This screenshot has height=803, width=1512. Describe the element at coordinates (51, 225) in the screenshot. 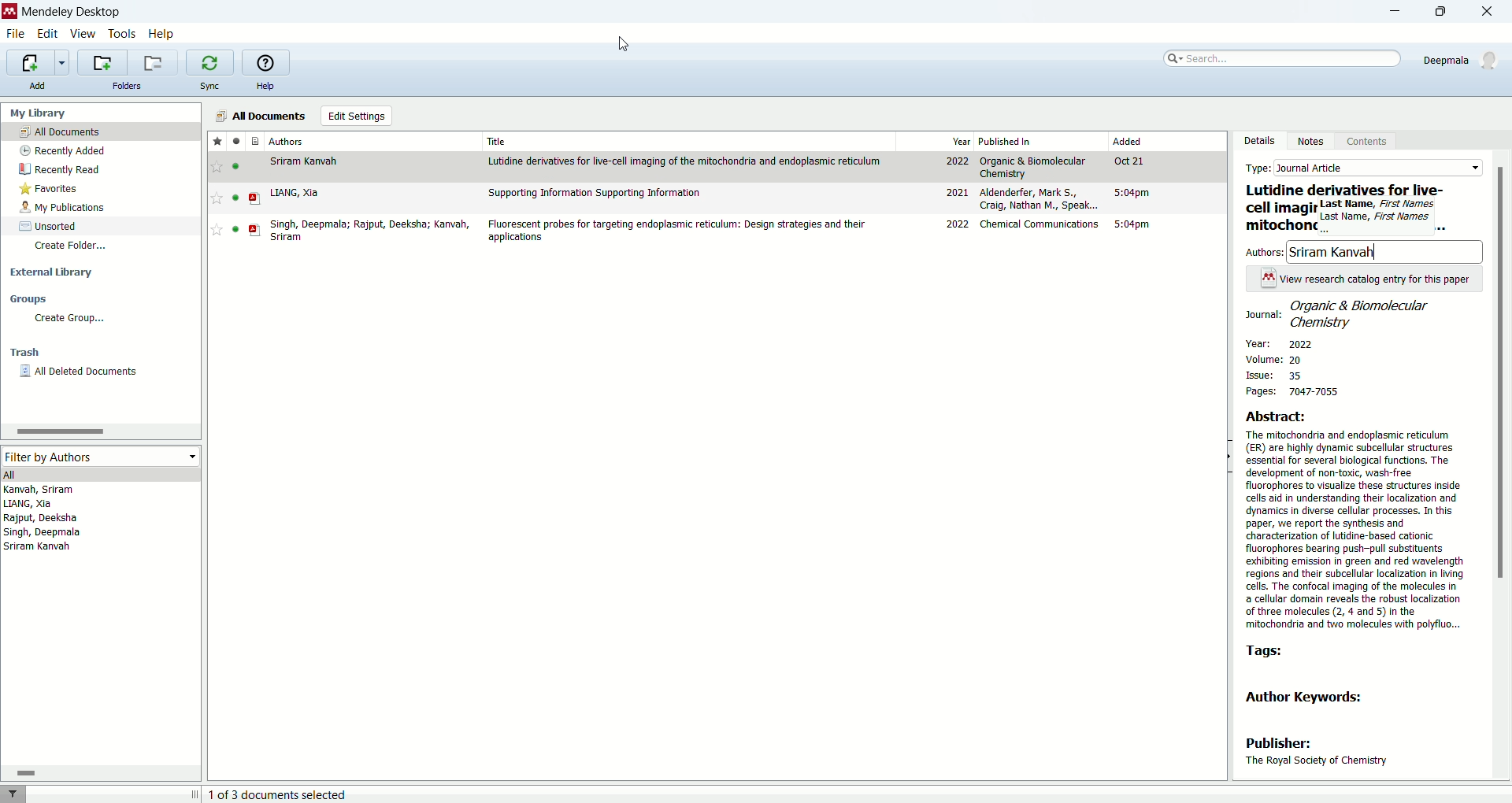

I see `unsorted` at that location.